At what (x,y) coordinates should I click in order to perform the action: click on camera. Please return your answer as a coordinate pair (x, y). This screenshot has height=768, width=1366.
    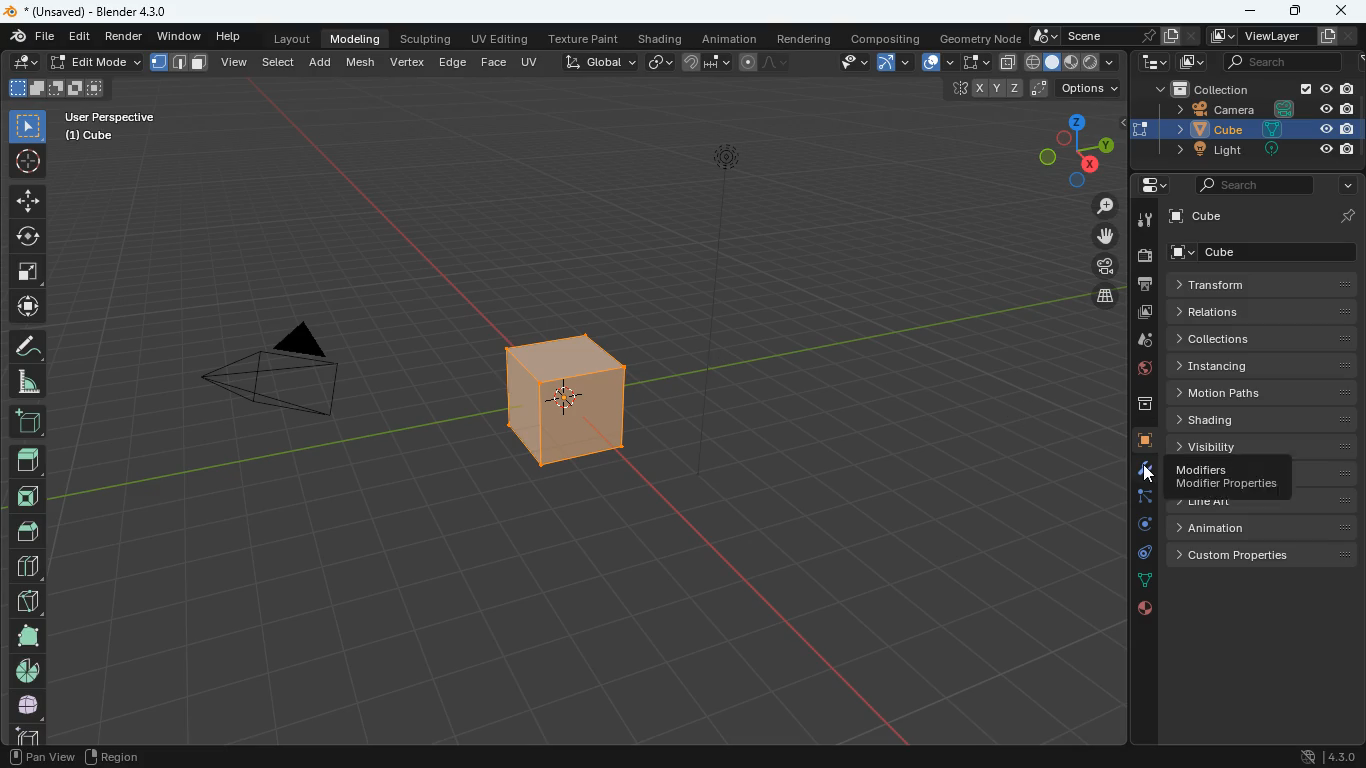
    Looking at the image, I should click on (1143, 257).